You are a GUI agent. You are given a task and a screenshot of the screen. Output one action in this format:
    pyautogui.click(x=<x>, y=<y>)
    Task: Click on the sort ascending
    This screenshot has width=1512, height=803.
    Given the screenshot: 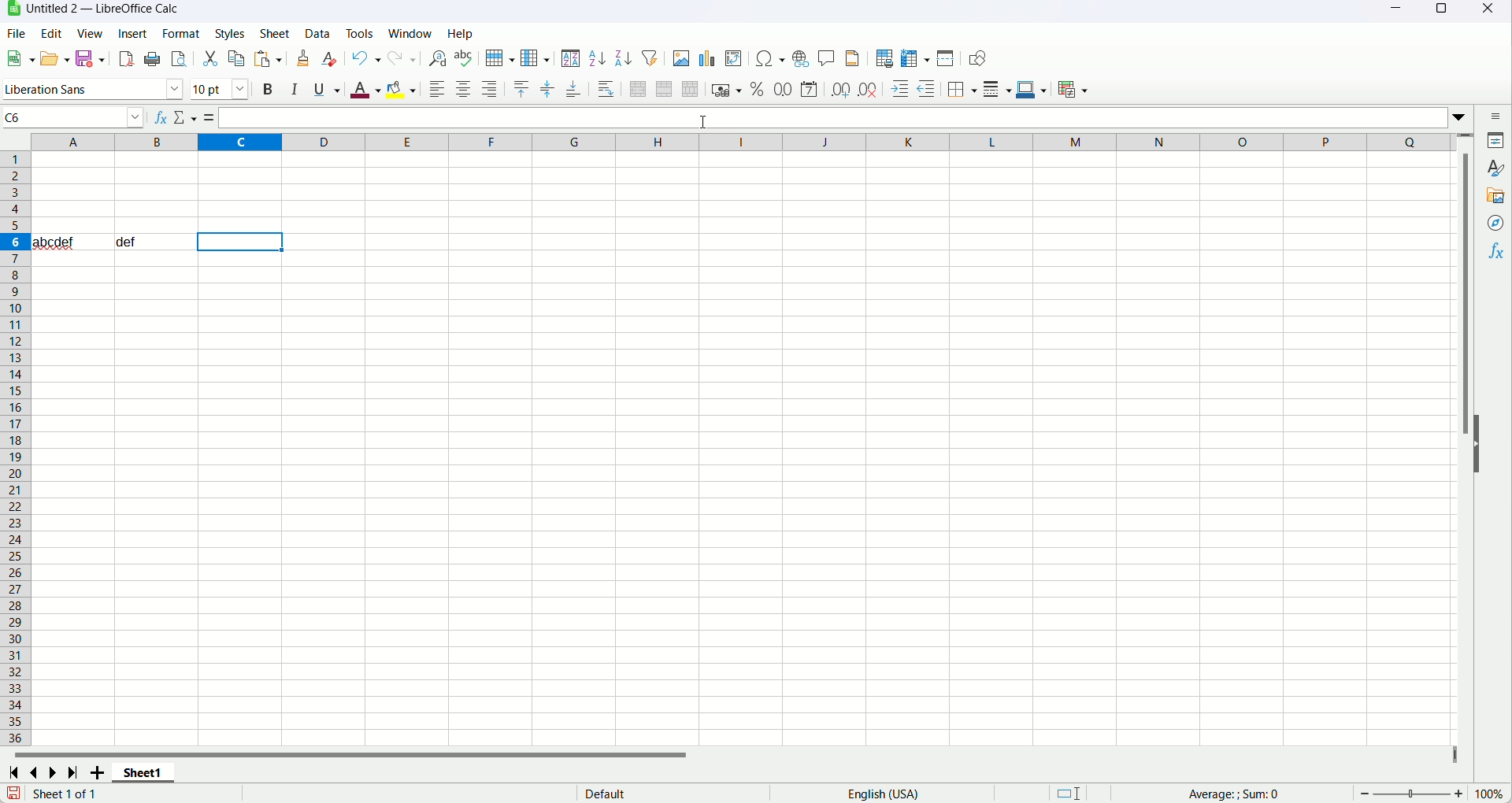 What is the action you would take?
    pyautogui.click(x=597, y=58)
    